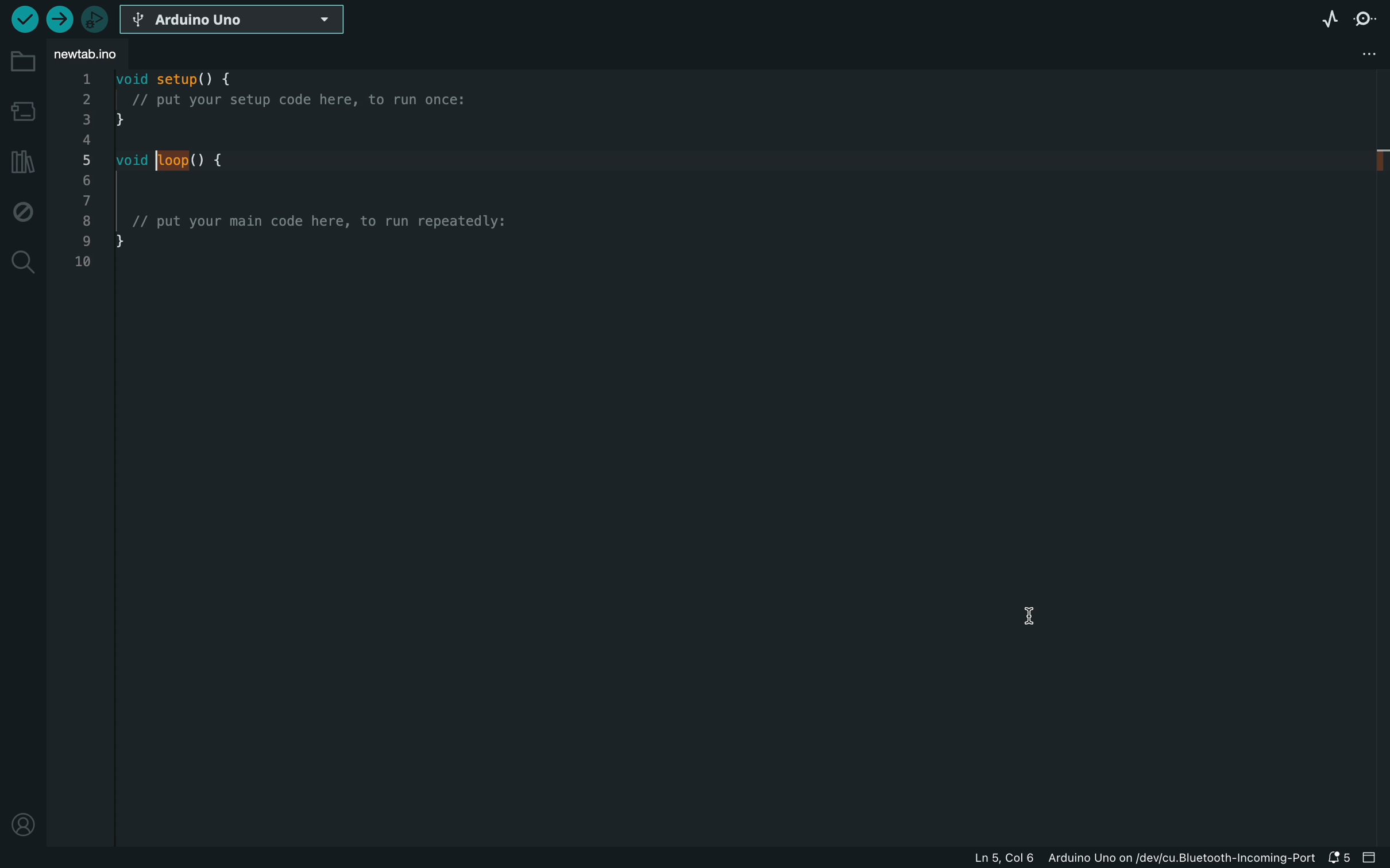 The image size is (1390, 868). I want to click on notification, so click(1342, 858).